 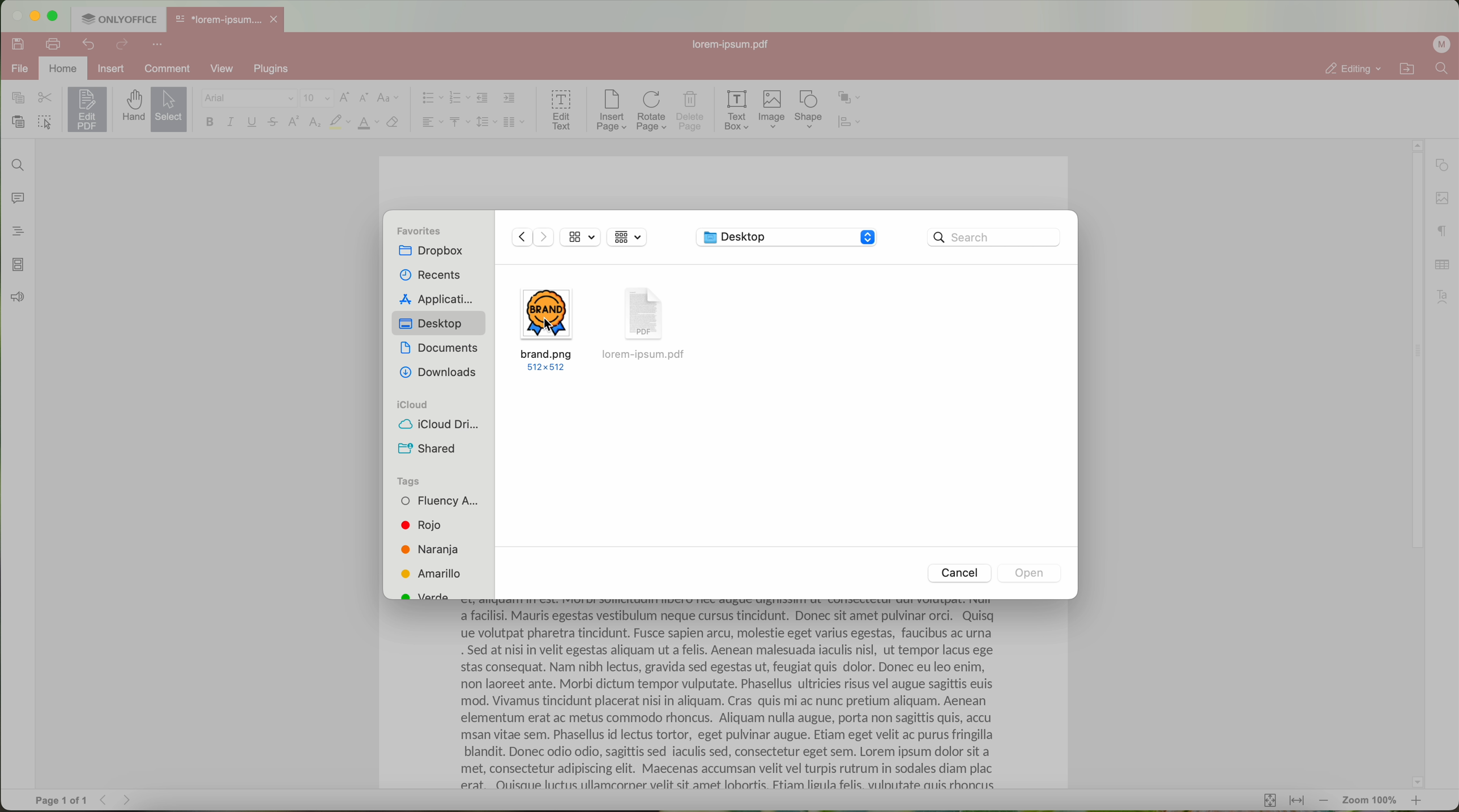 What do you see at coordinates (547, 330) in the screenshot?
I see `brand.png
512x512` at bounding box center [547, 330].